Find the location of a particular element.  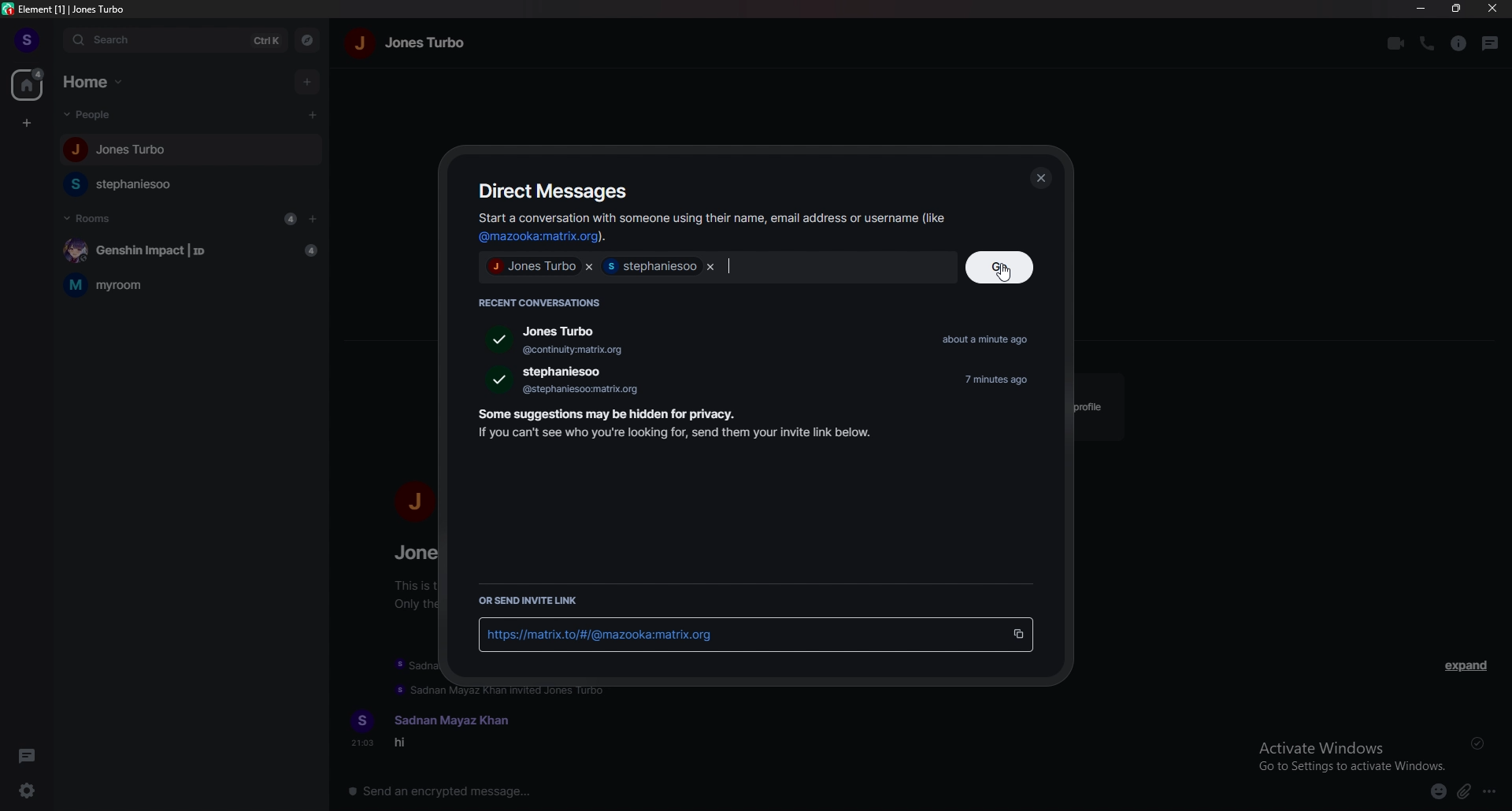

stephaniesoo is located at coordinates (650, 266).